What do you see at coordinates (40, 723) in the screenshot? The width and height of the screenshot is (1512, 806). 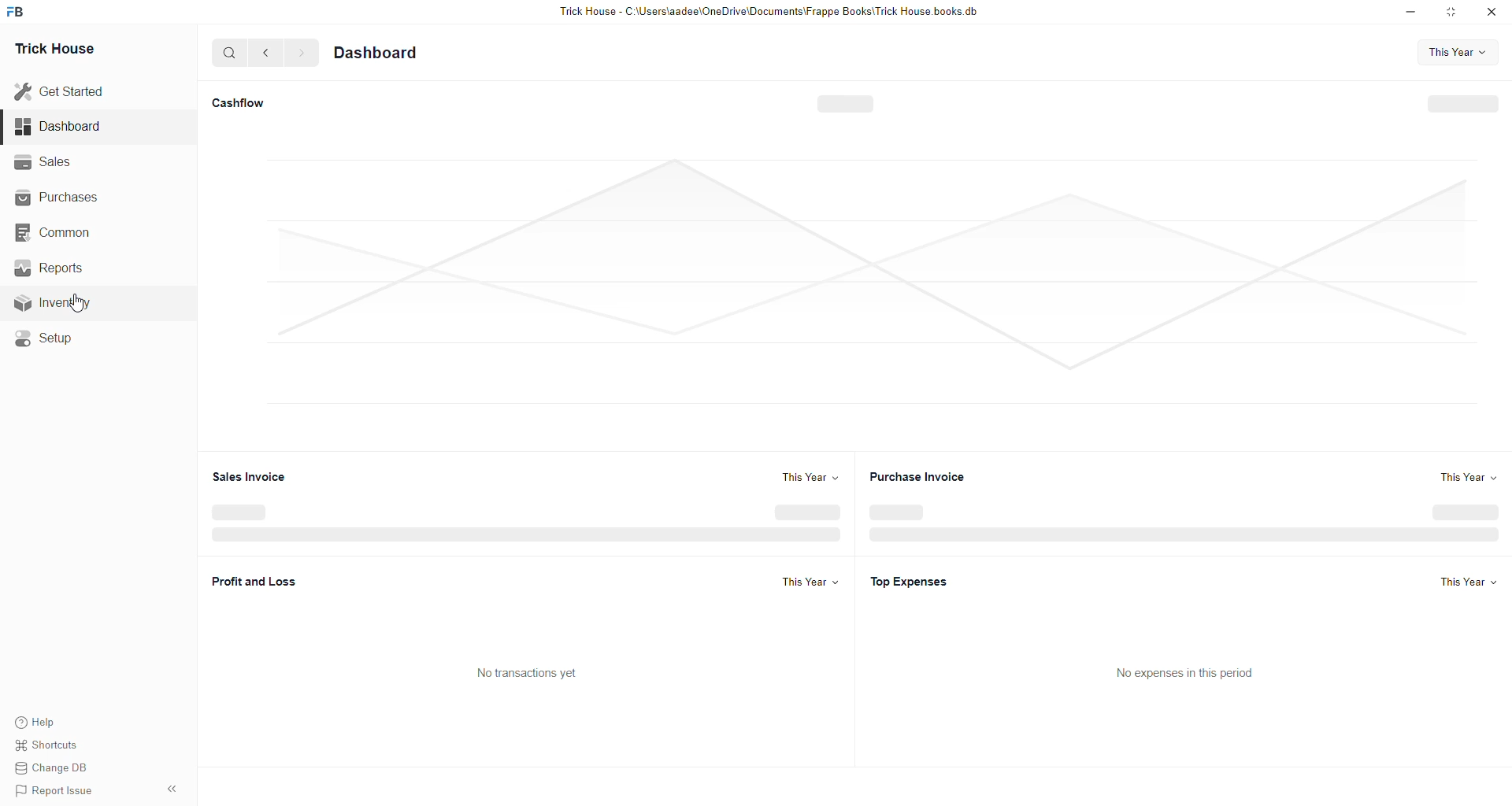 I see `Help` at bounding box center [40, 723].